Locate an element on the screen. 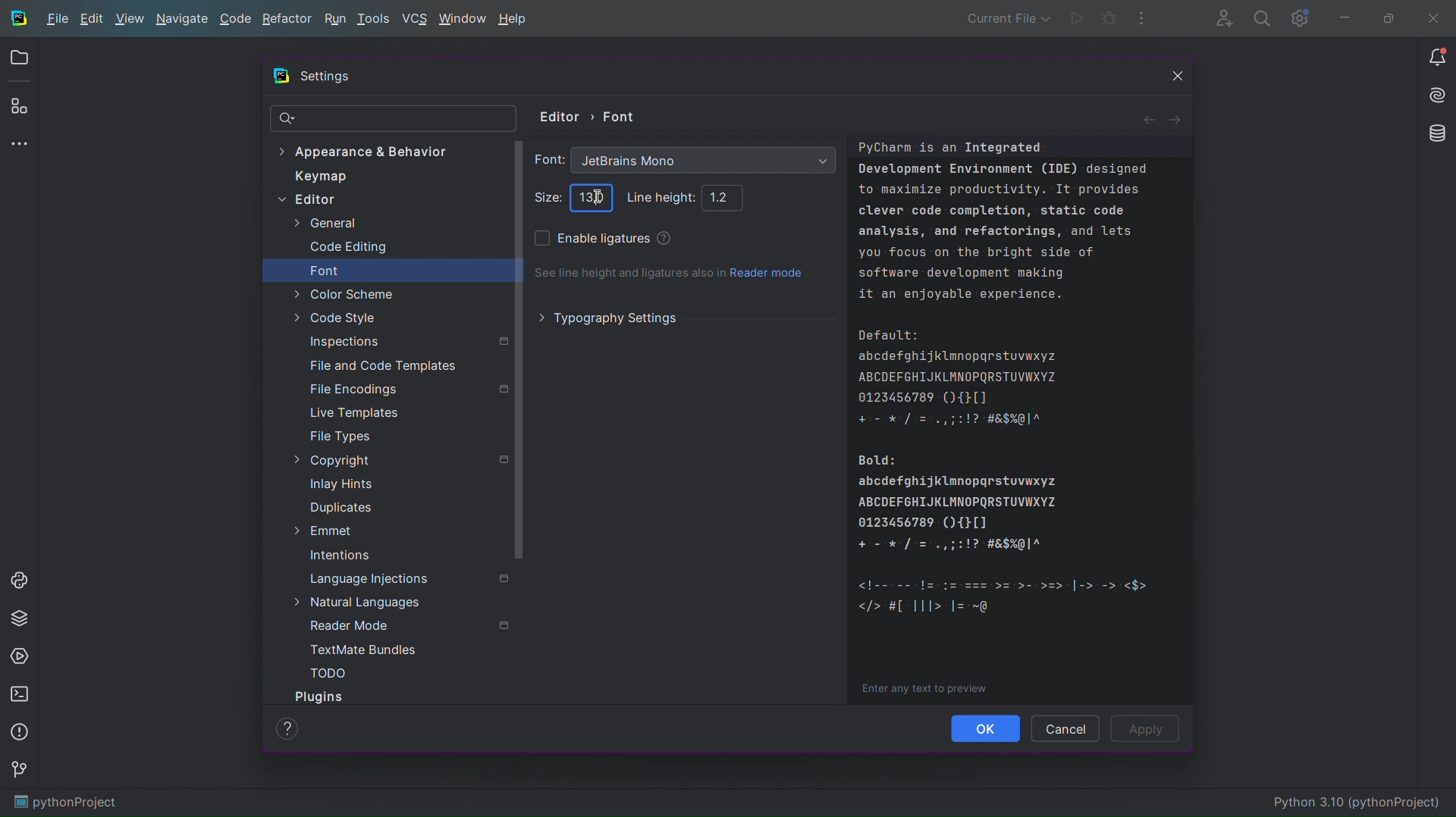 The image size is (1456, 817). Python 3.10 (pythonProject) is located at coordinates (1360, 803).